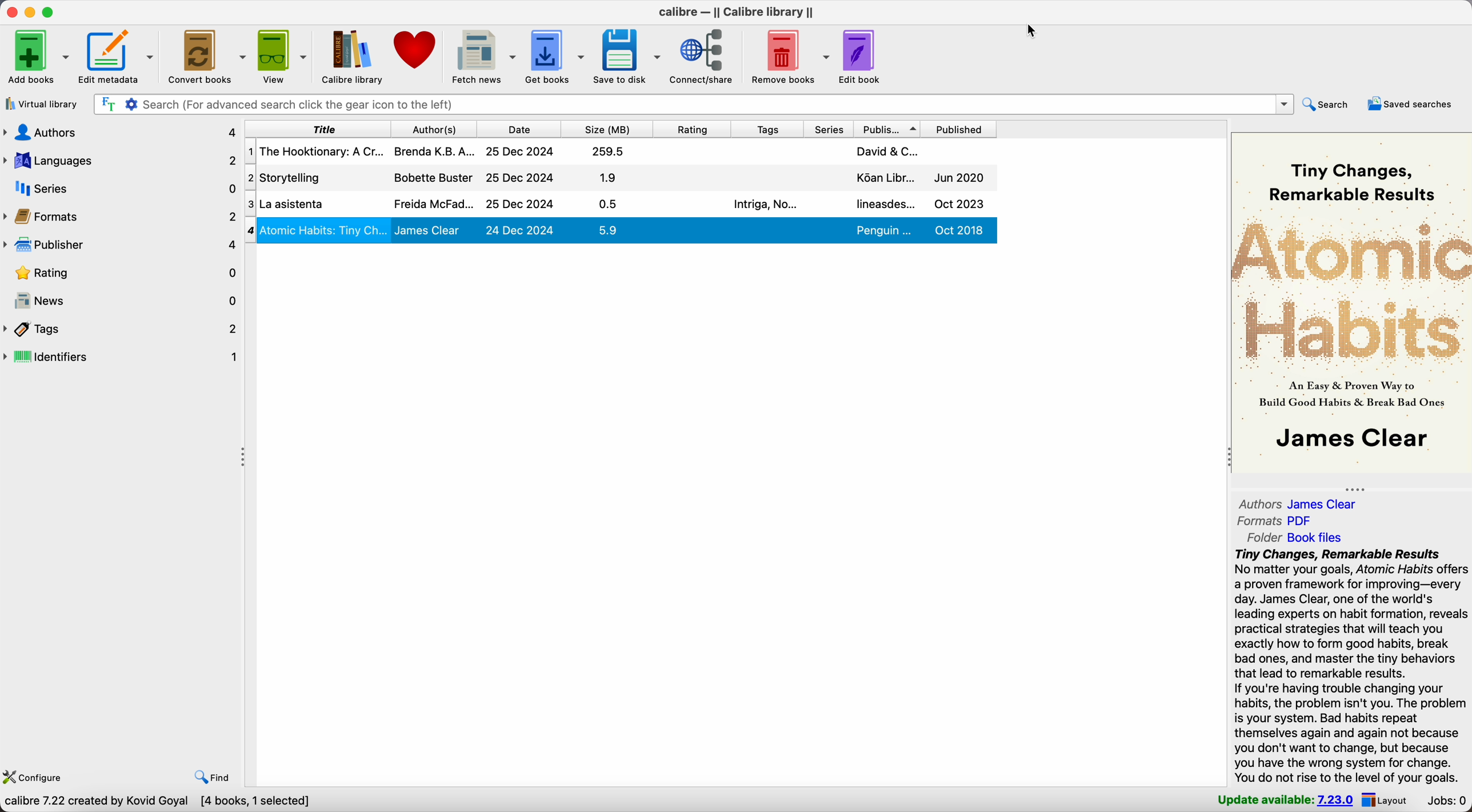  I want to click on 259.5, so click(606, 152).